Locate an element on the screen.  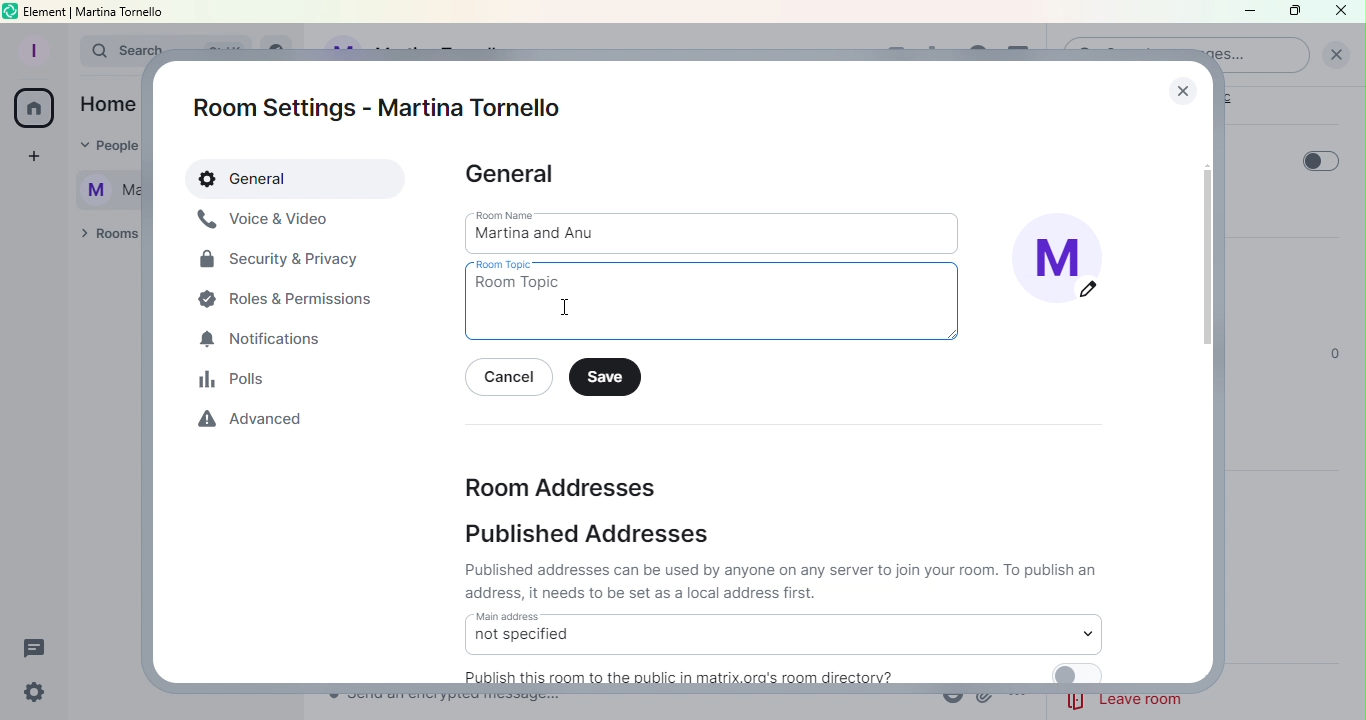
Threads is located at coordinates (39, 644).